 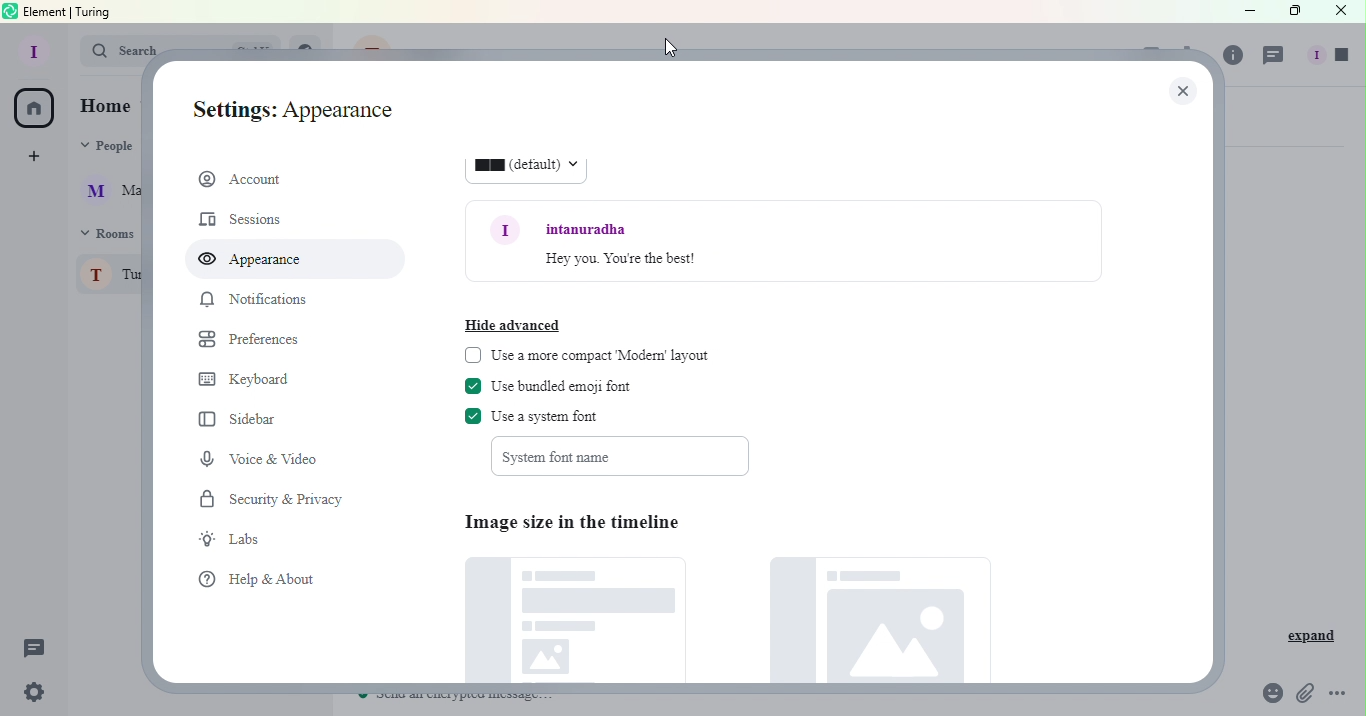 What do you see at coordinates (257, 219) in the screenshot?
I see `Sessions` at bounding box center [257, 219].